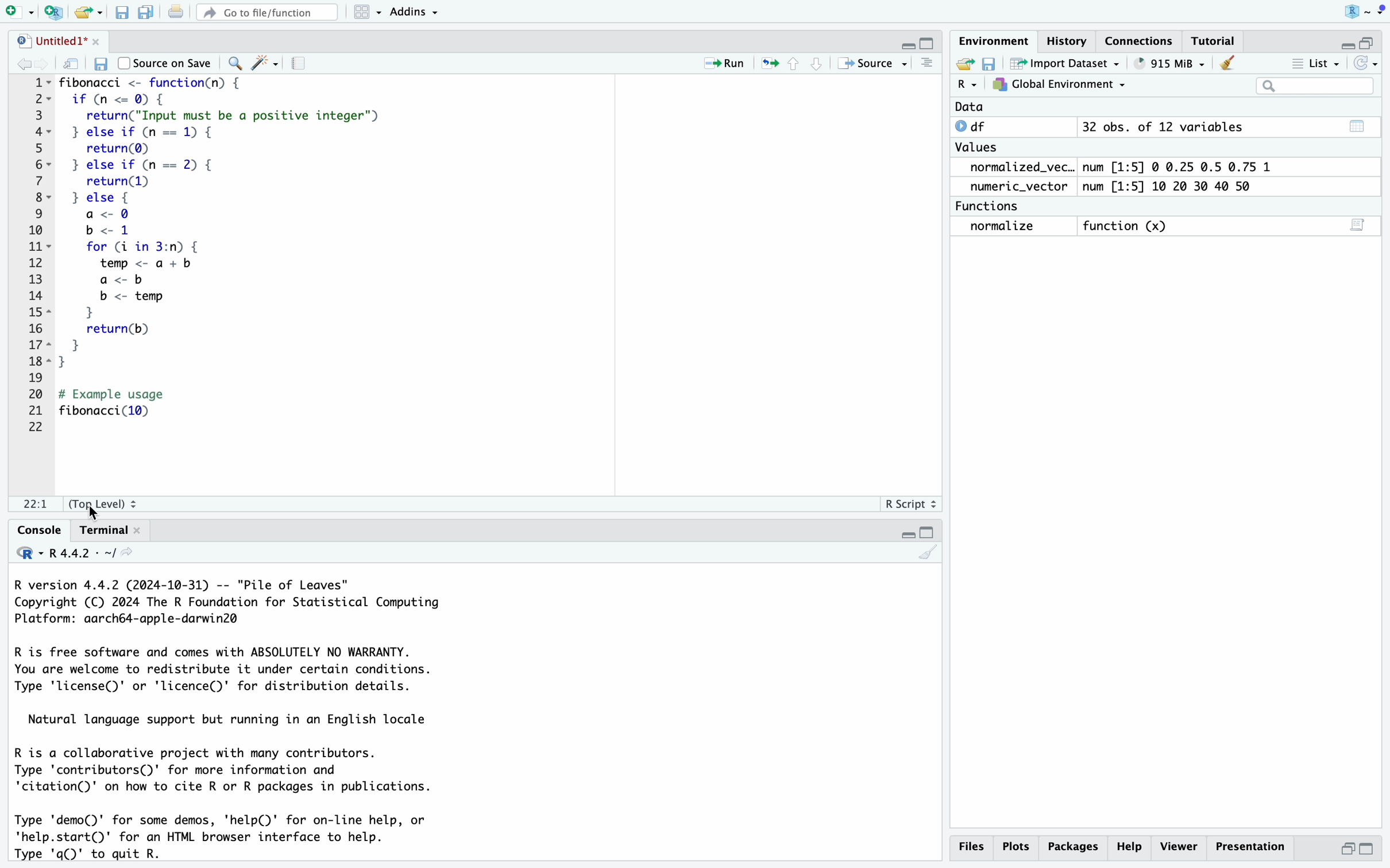 This screenshot has width=1390, height=868. Describe the element at coordinates (1173, 63) in the screenshot. I see `264 MiB` at that location.